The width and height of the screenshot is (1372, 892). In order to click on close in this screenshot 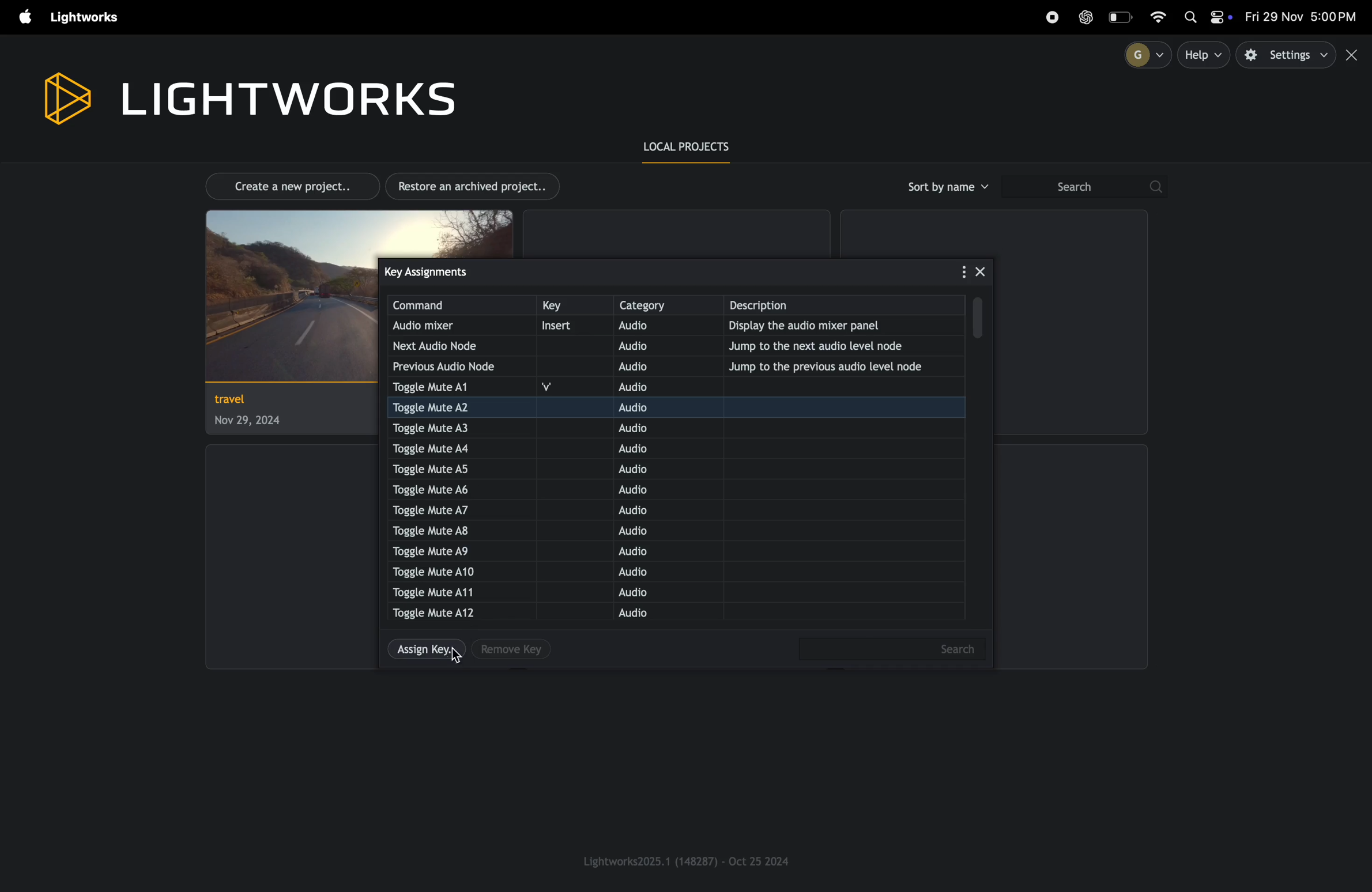, I will do `click(981, 270)`.